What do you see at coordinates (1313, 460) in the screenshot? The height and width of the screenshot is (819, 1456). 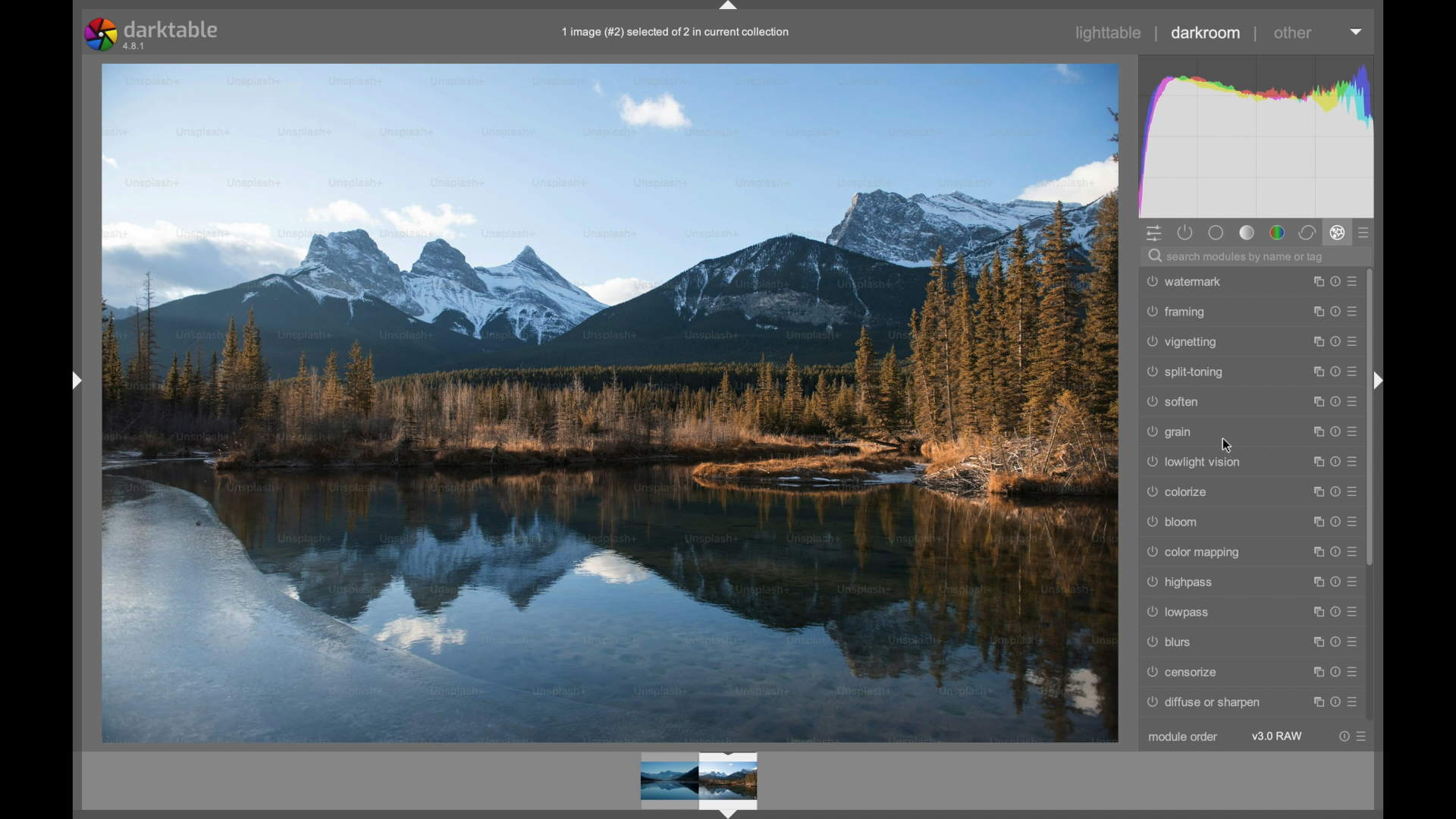 I see `instance` at bounding box center [1313, 460].